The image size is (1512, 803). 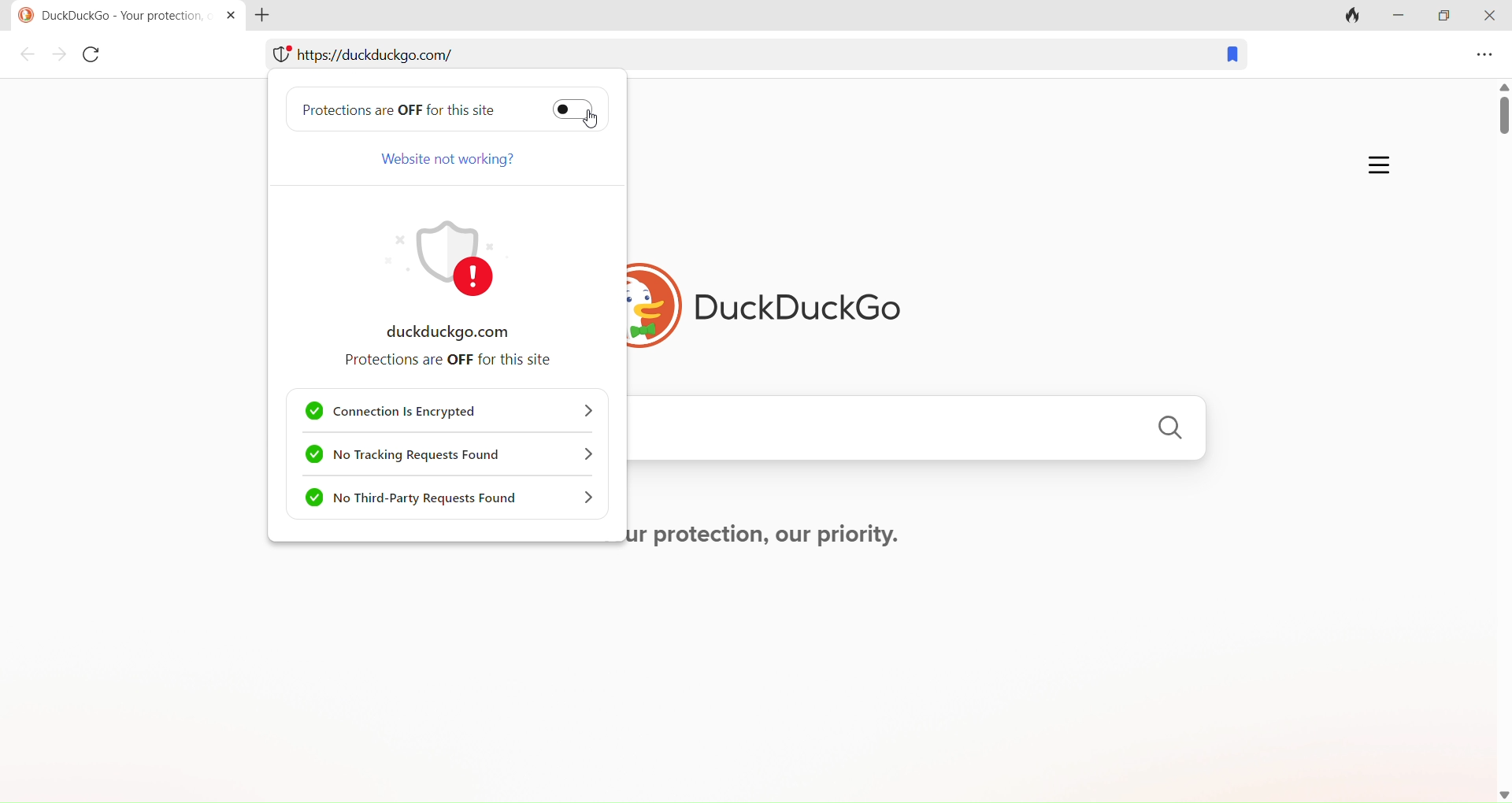 I want to click on back, so click(x=28, y=56).